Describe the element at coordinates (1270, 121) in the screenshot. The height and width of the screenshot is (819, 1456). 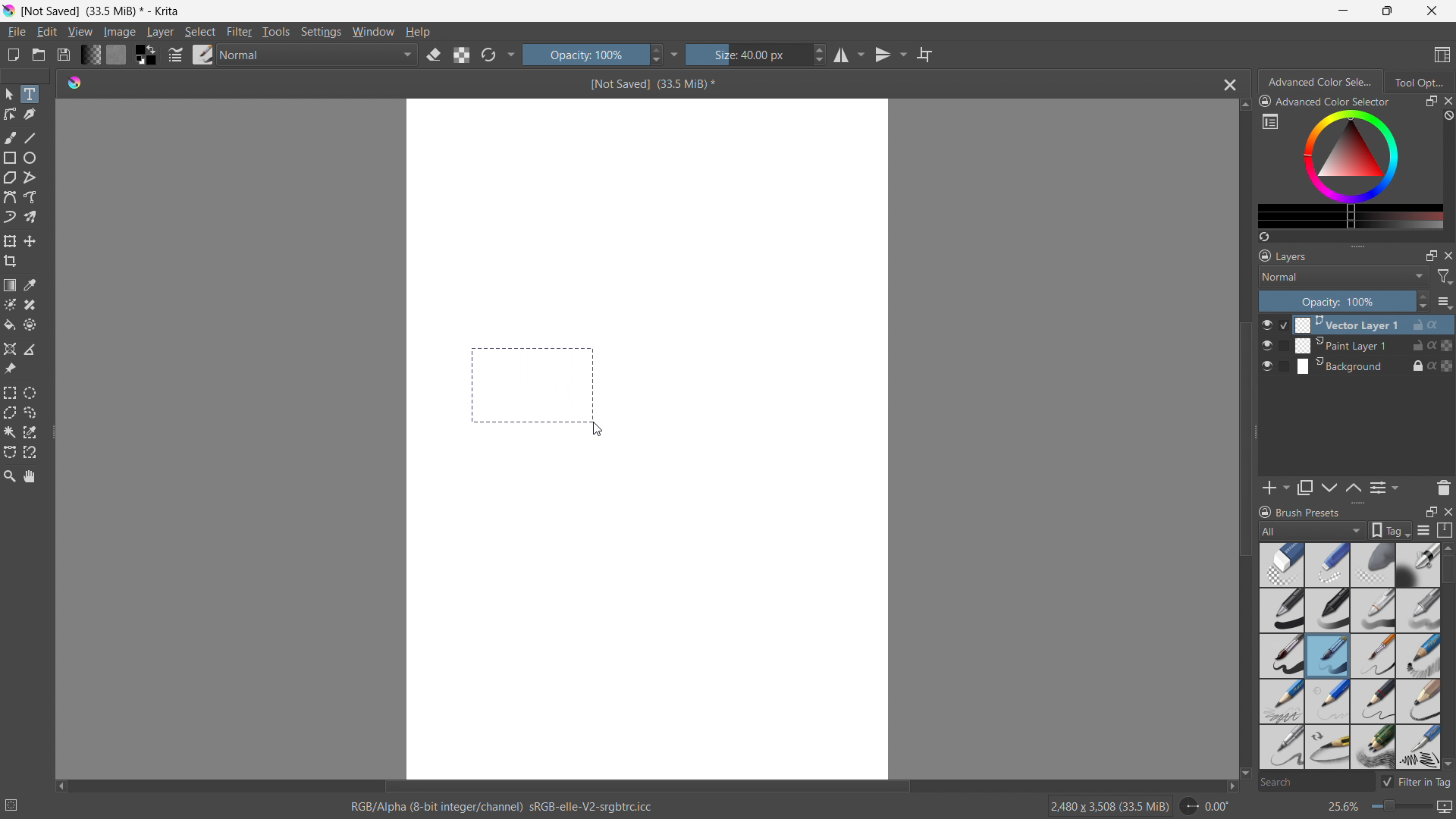
I see `more settings` at that location.